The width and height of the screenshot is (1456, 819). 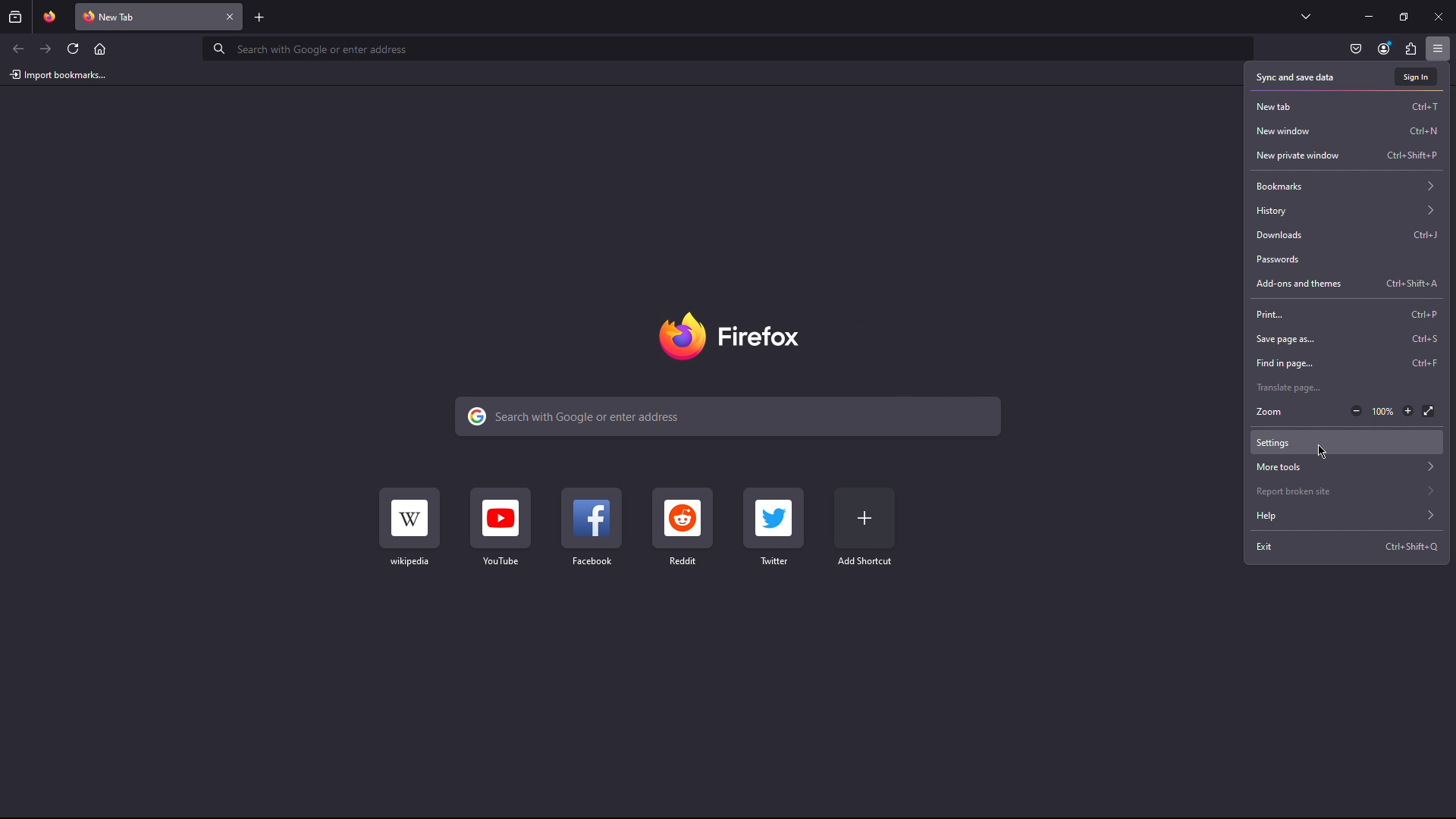 I want to click on List all tabs, so click(x=1306, y=16).